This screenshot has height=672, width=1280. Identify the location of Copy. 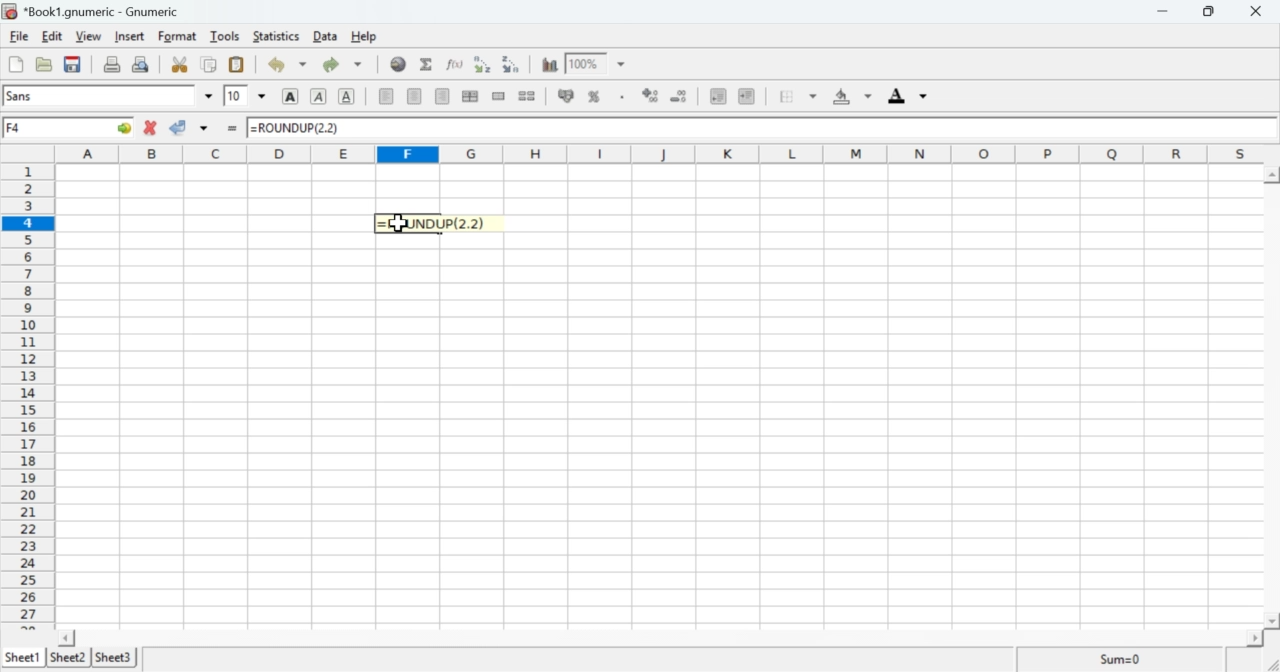
(210, 64).